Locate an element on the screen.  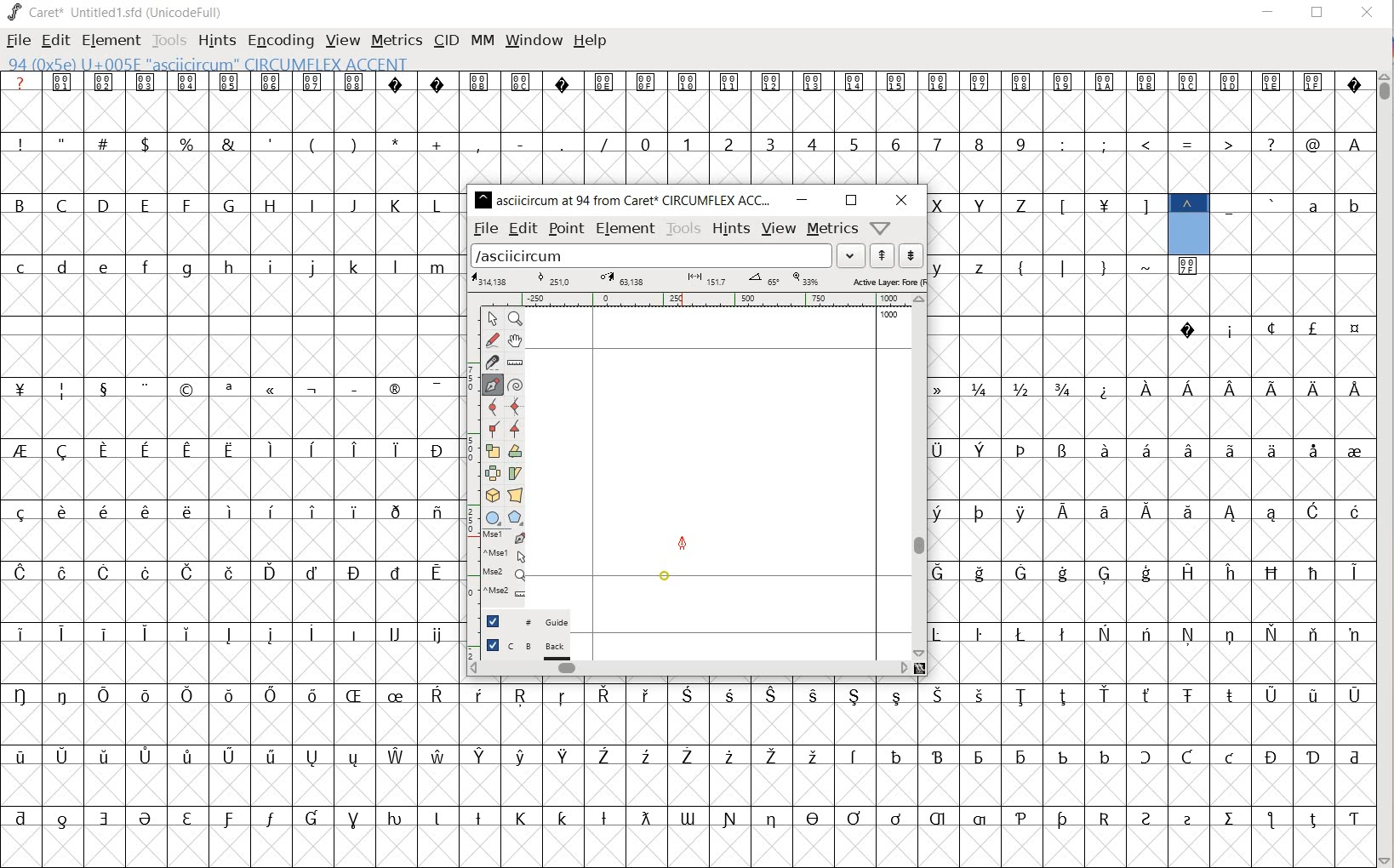
tools is located at coordinates (684, 228).